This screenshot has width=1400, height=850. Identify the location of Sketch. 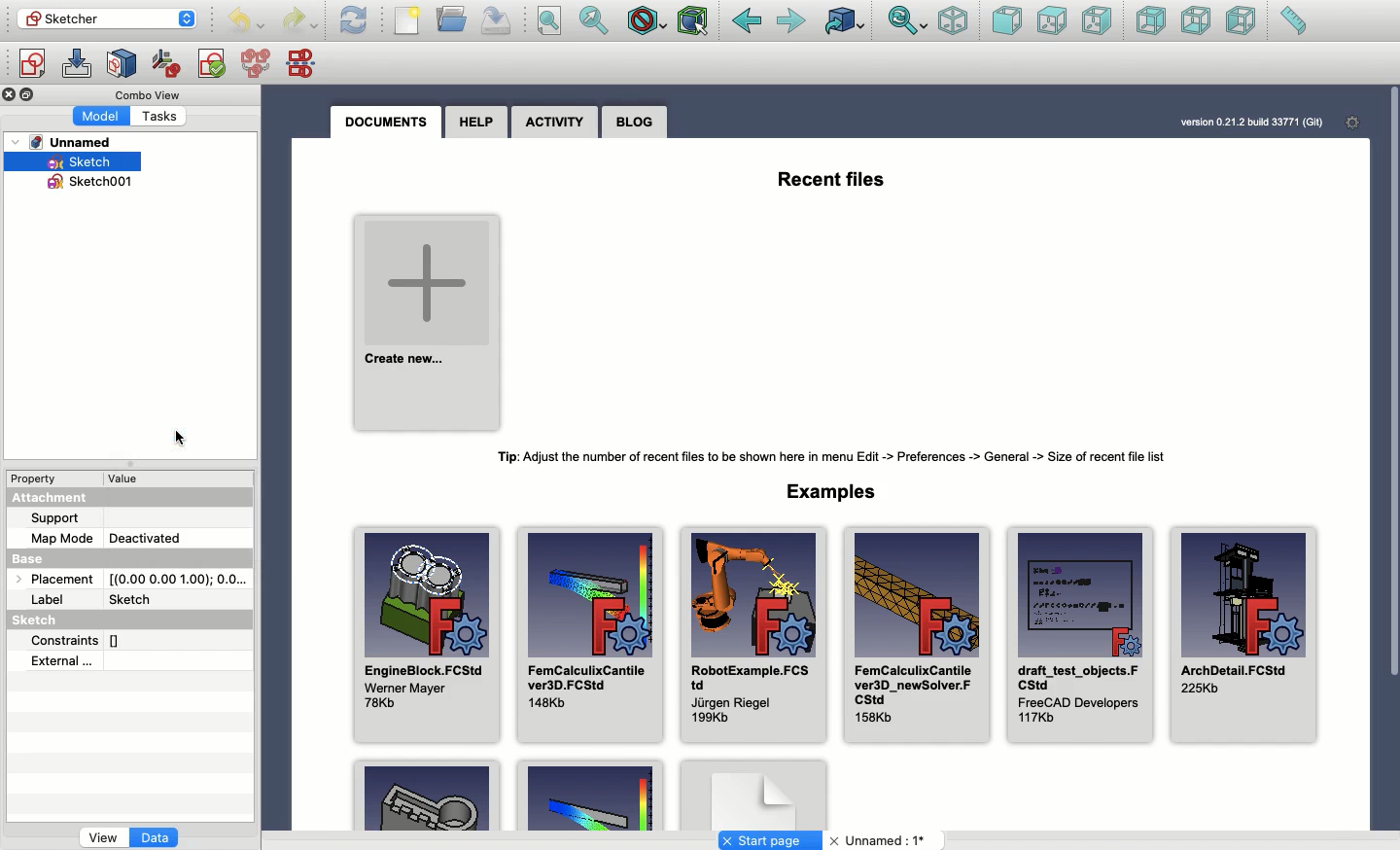
(86, 163).